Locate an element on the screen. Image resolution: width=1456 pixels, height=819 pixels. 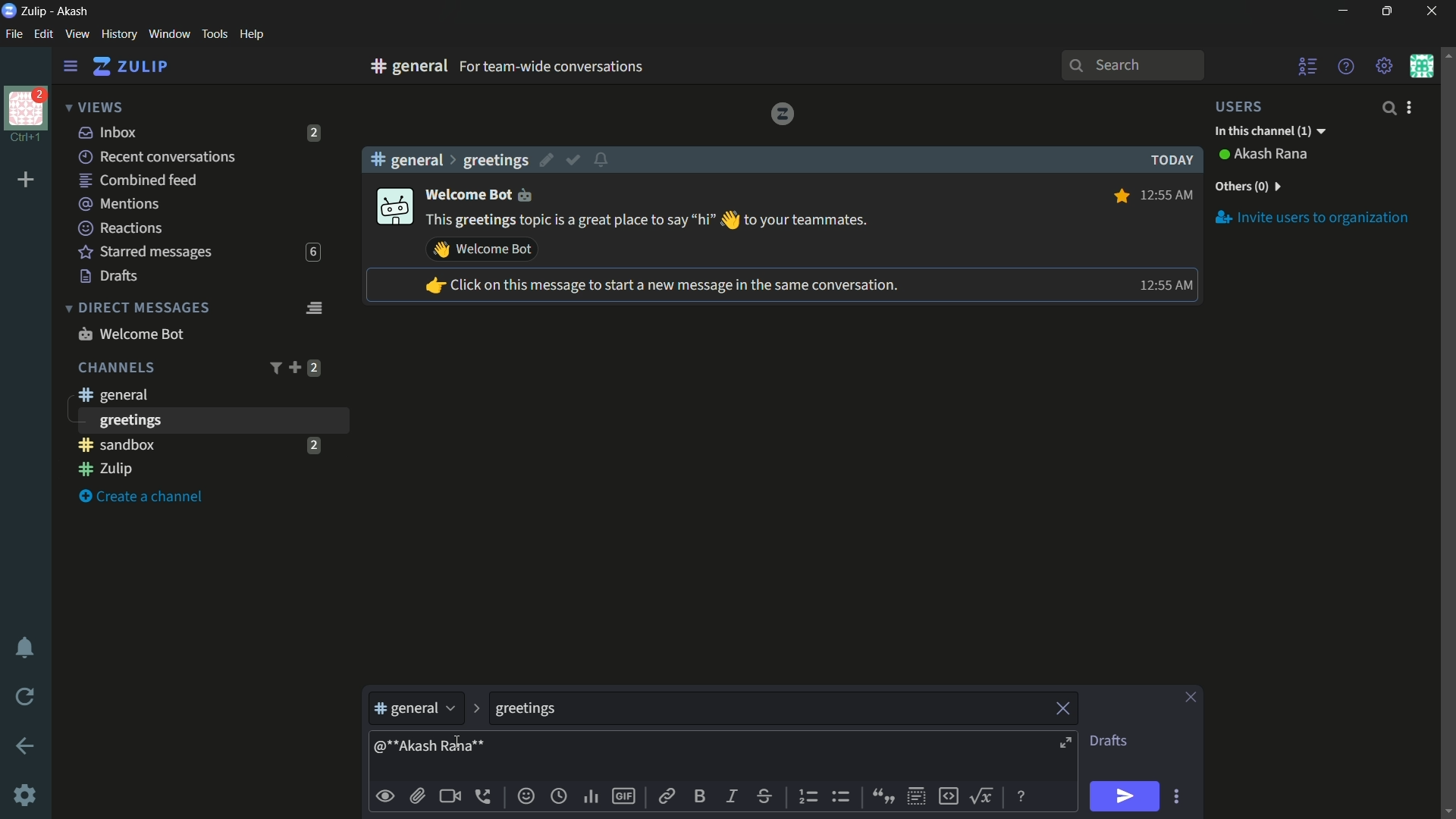
search bar is located at coordinates (1132, 65).